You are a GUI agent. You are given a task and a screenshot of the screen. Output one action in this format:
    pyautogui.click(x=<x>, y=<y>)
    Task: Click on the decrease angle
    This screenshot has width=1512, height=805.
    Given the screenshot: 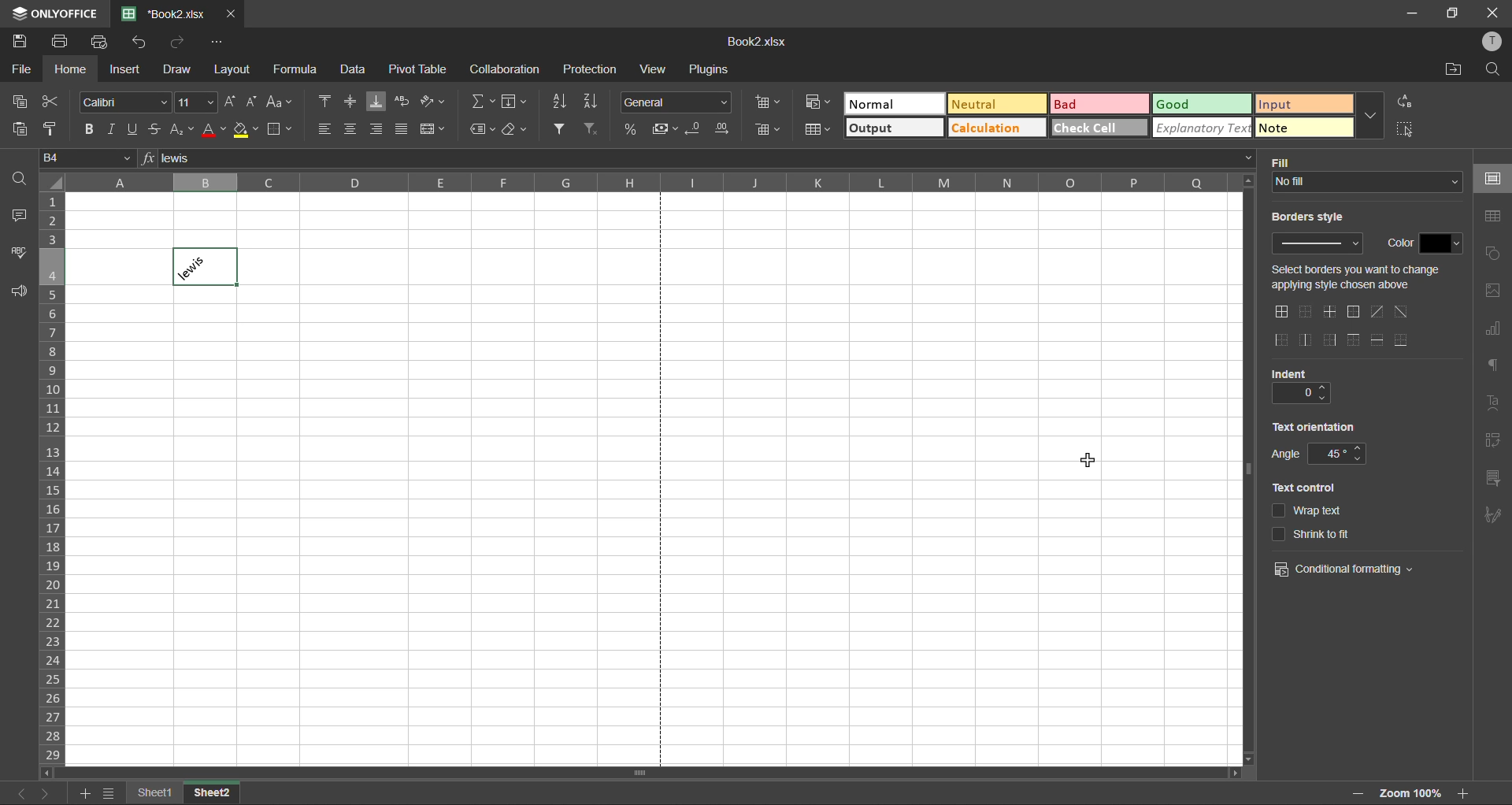 What is the action you would take?
    pyautogui.click(x=1361, y=460)
    